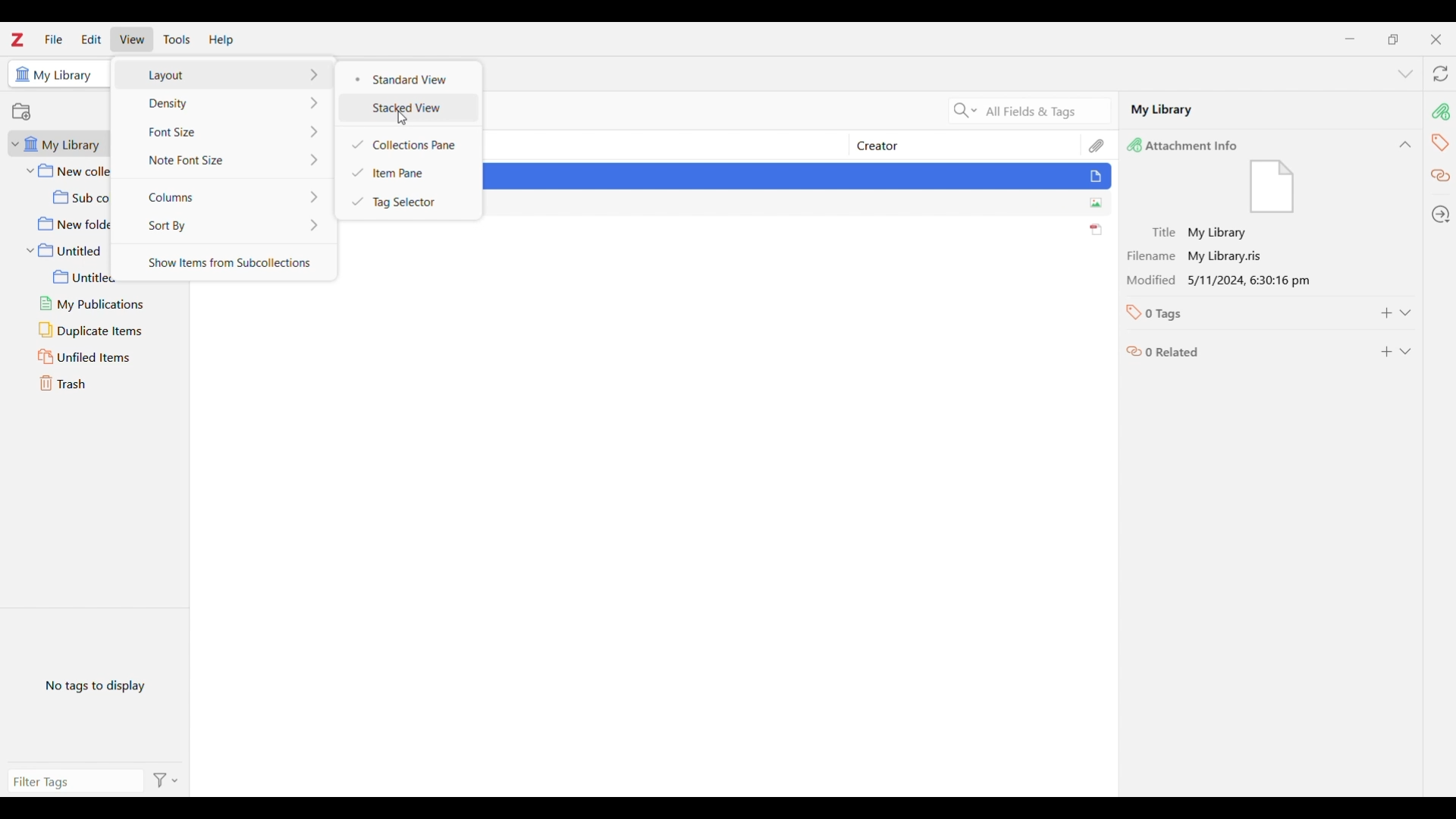 This screenshot has width=1456, height=819. Describe the element at coordinates (17, 39) in the screenshot. I see `Software logo` at that location.